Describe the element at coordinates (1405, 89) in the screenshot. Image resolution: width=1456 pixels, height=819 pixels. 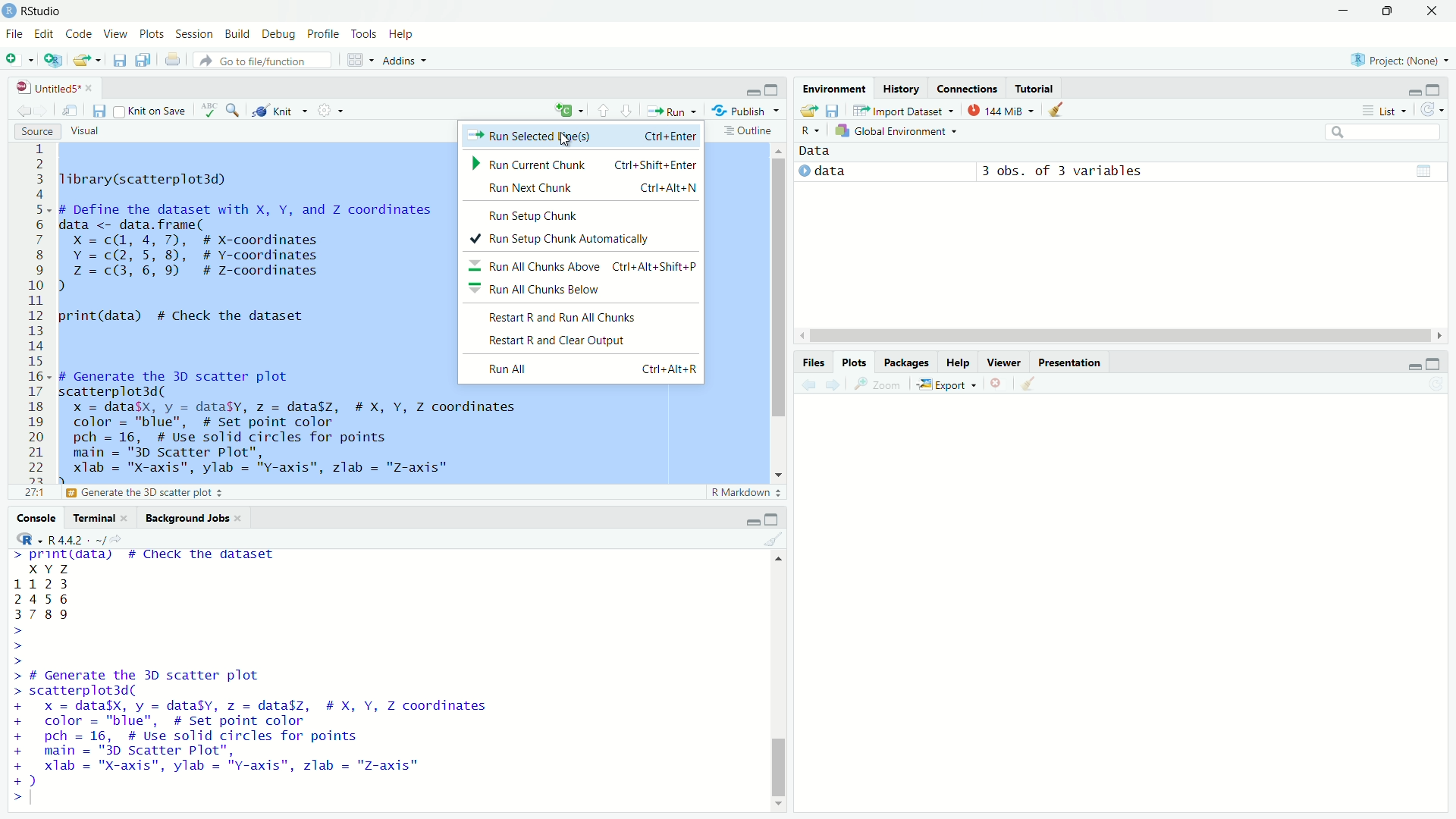
I see `minimize` at that location.